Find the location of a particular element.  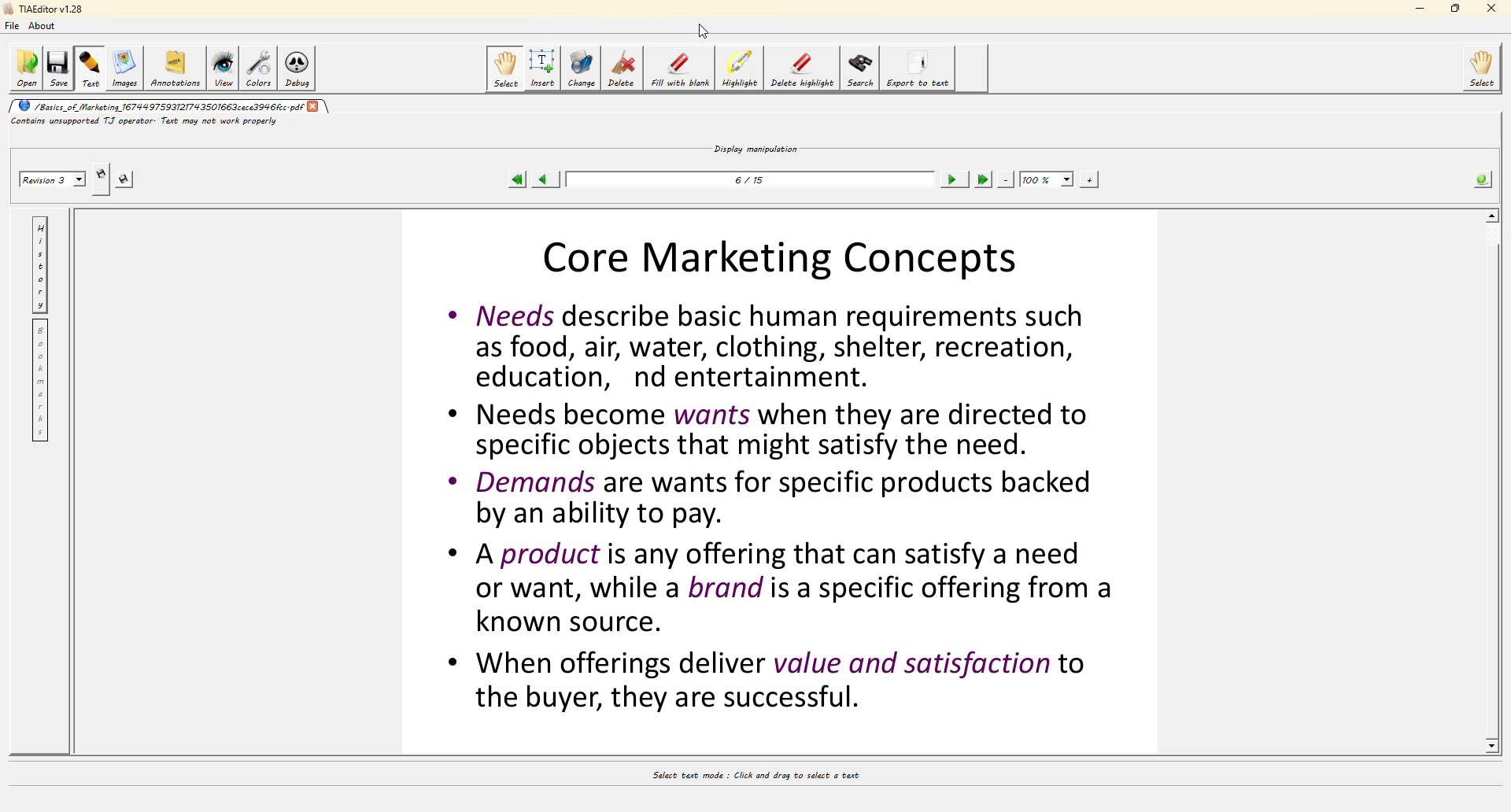

save this revision is located at coordinates (126, 179).